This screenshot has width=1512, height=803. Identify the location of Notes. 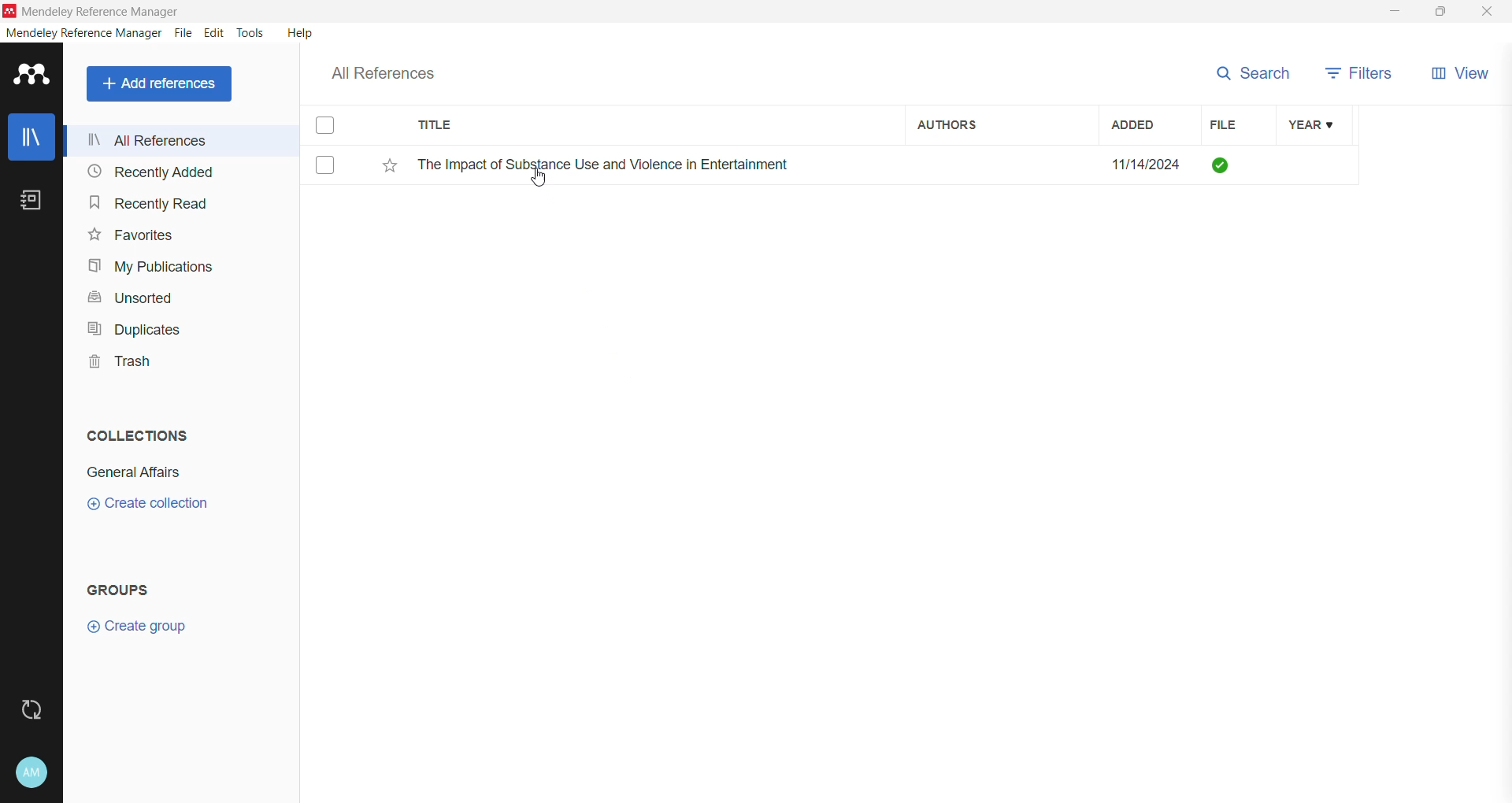
(35, 202).